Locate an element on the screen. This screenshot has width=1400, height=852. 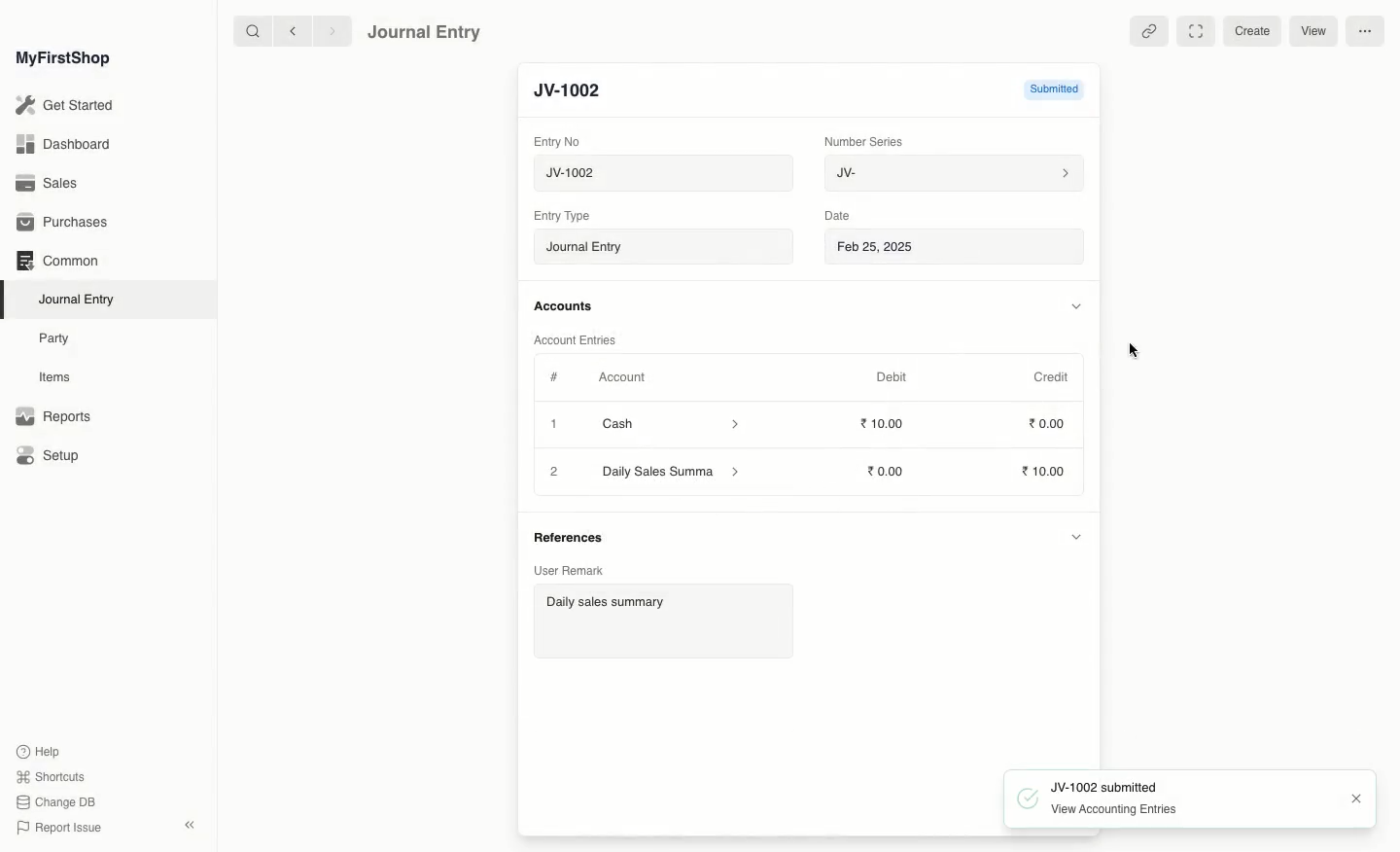
Options is located at coordinates (1366, 30).